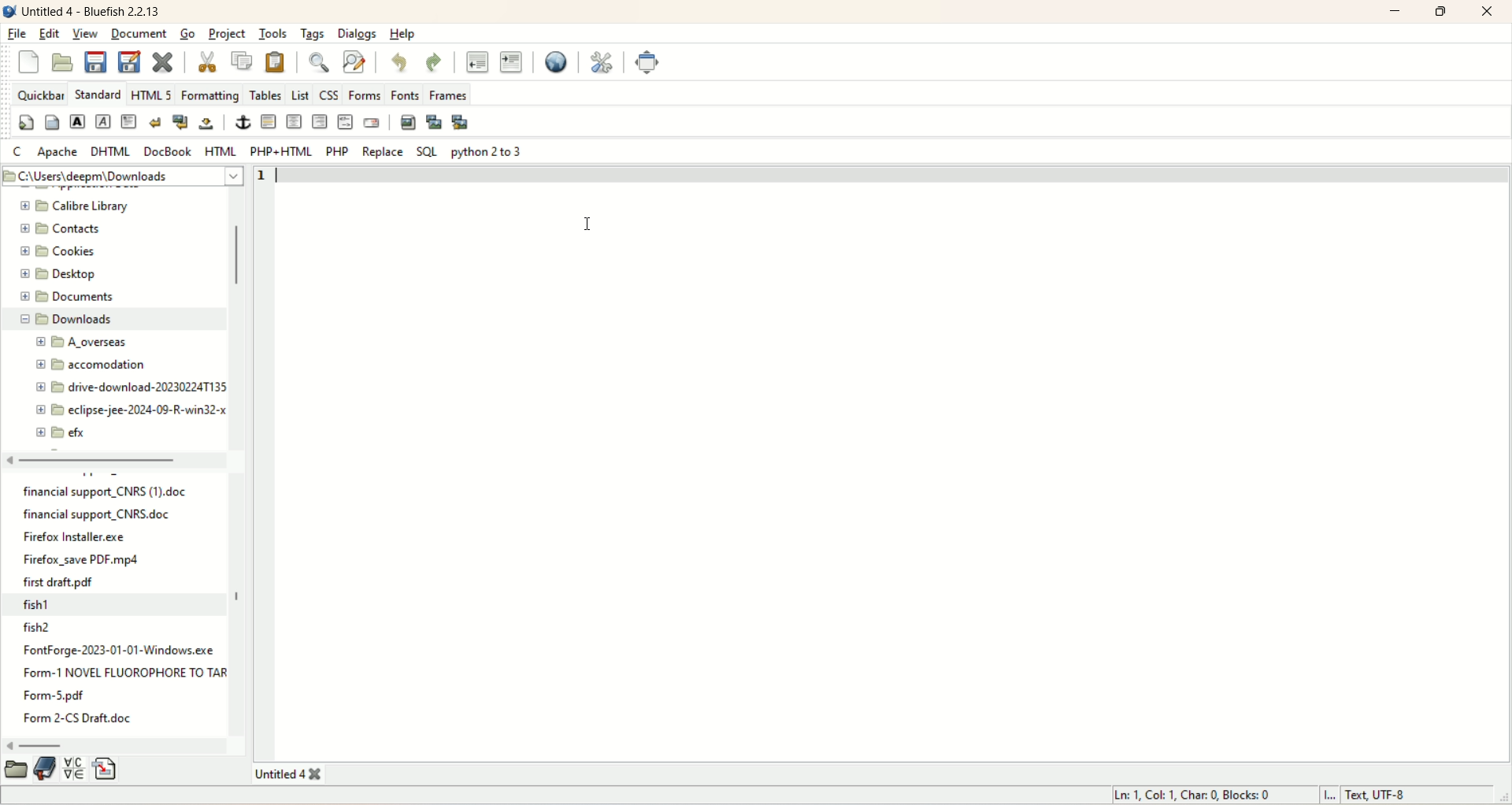 The height and width of the screenshot is (805, 1512). Describe the element at coordinates (120, 629) in the screenshot. I see `fish2` at that location.